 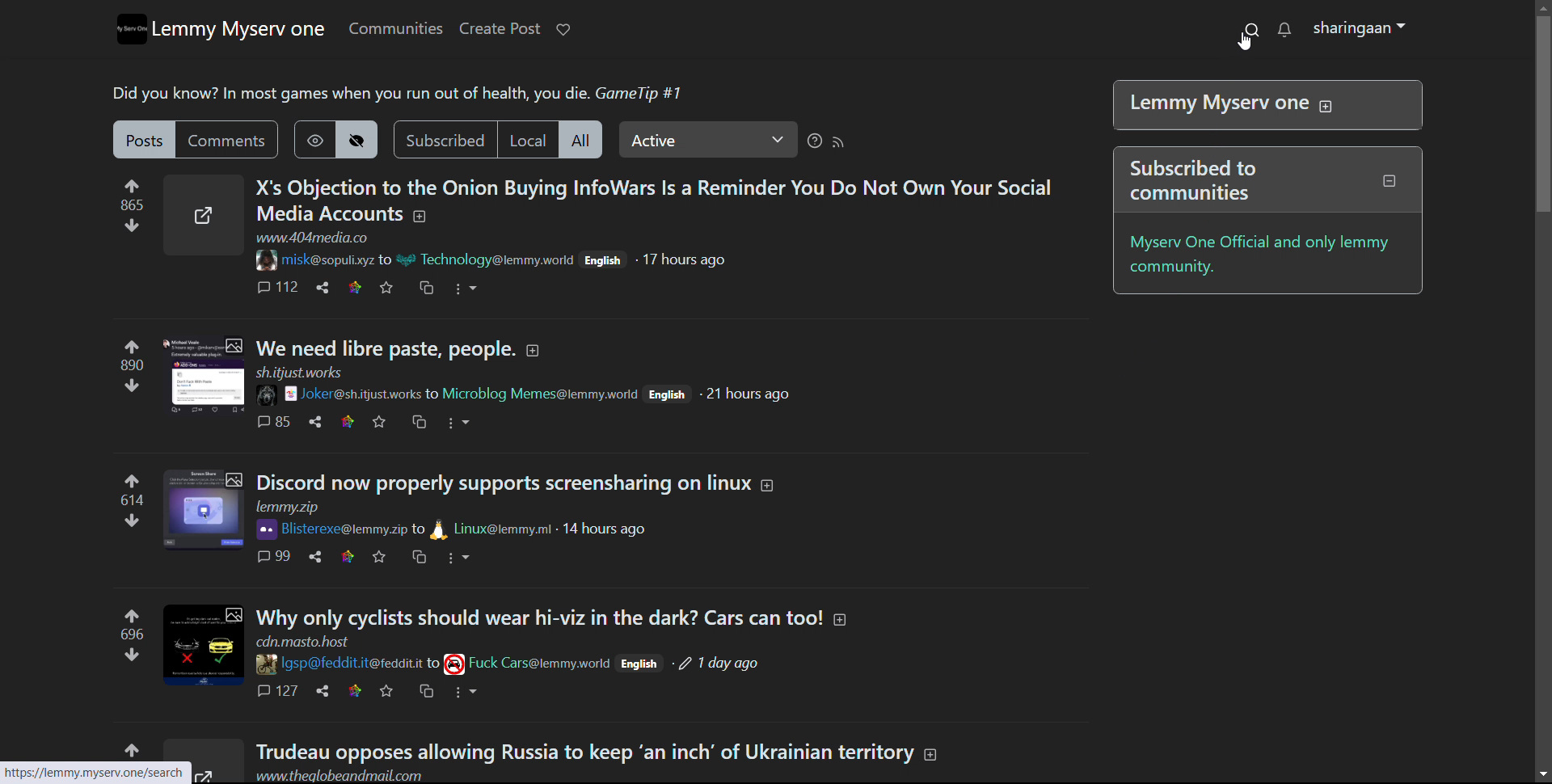 What do you see at coordinates (359, 139) in the screenshot?
I see `hide posts` at bounding box center [359, 139].